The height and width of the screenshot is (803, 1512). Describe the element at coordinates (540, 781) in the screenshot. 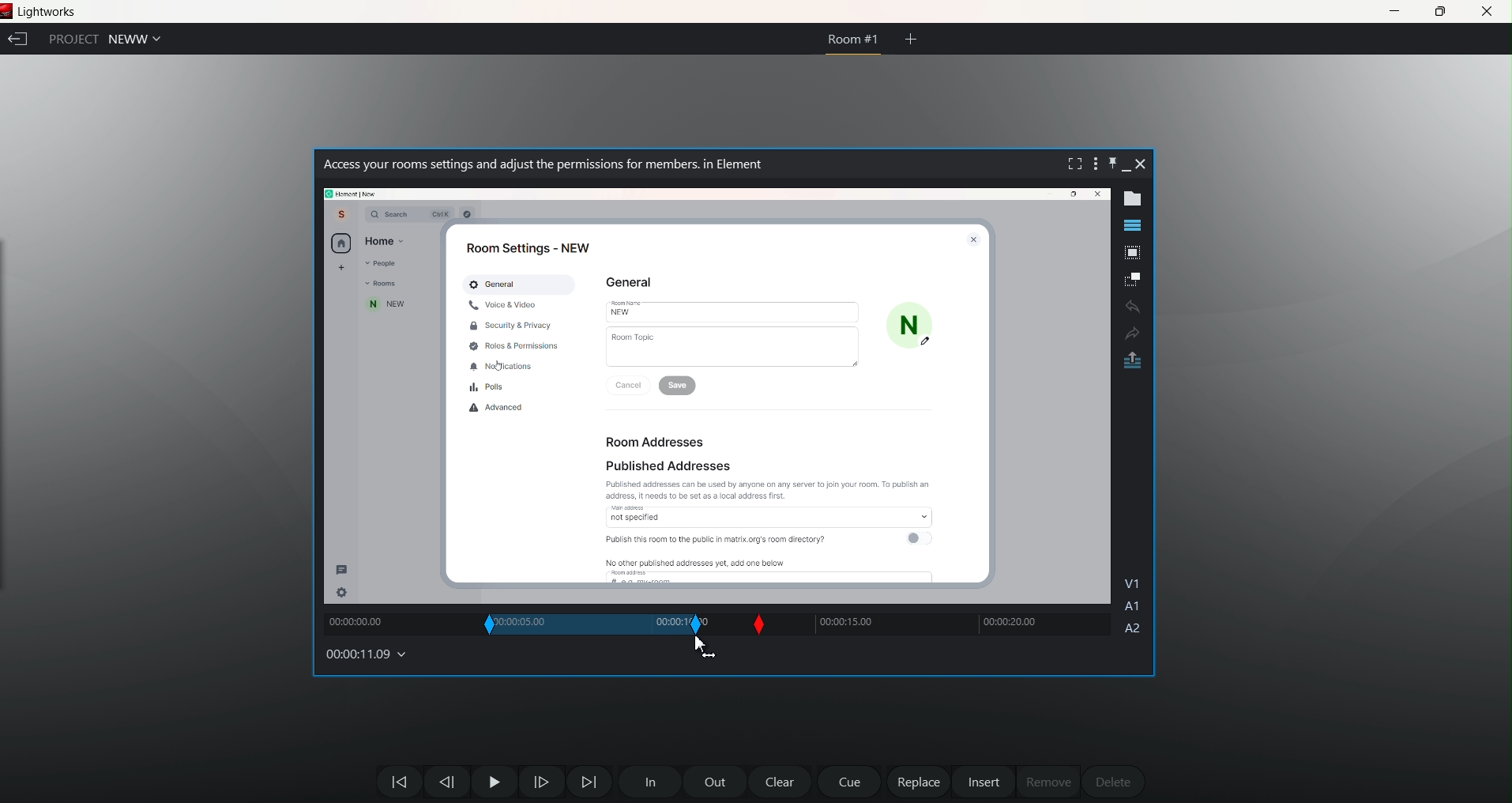

I see `one frame forward` at that location.